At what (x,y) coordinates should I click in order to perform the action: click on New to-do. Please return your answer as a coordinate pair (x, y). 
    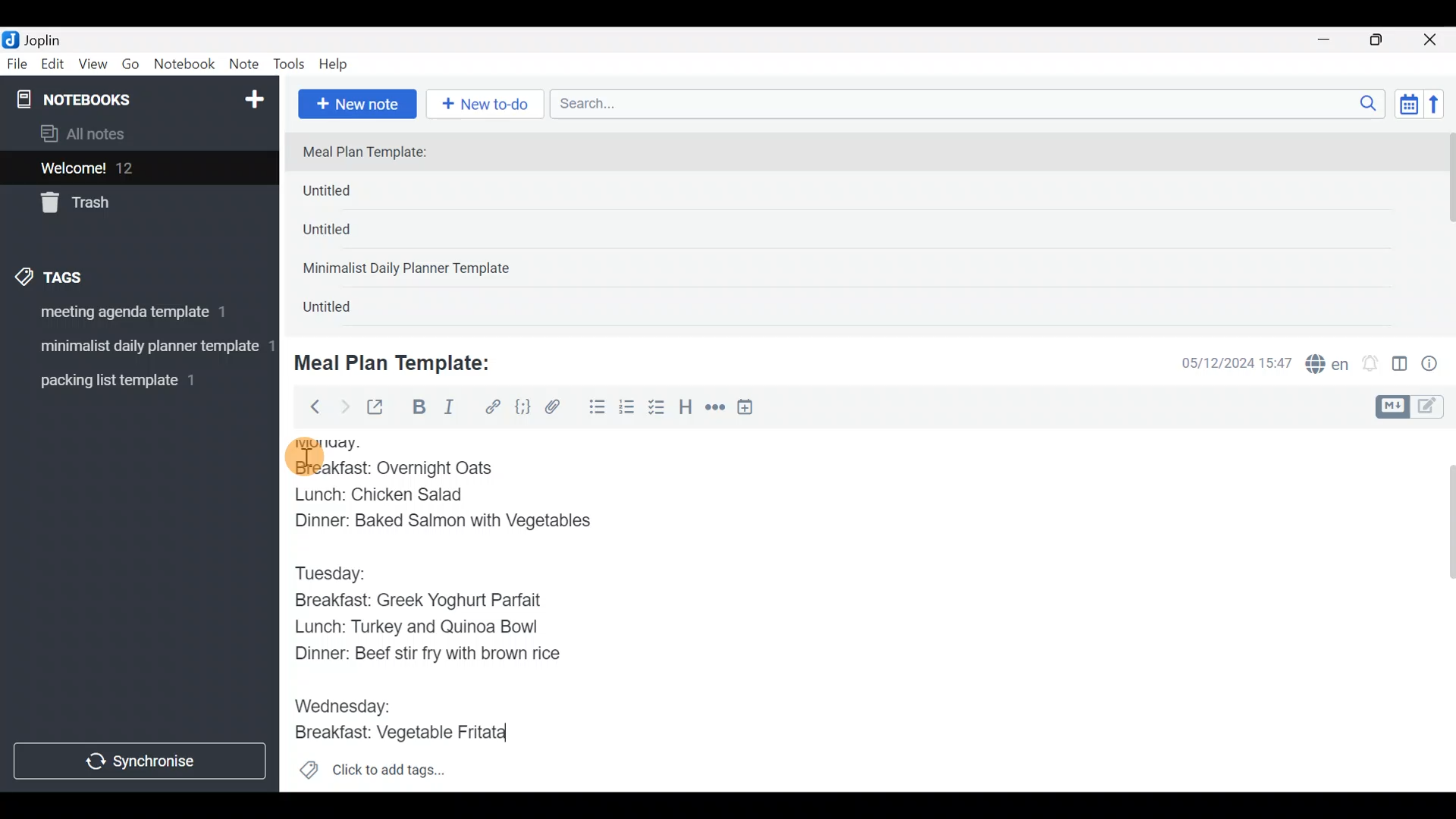
    Looking at the image, I should click on (488, 105).